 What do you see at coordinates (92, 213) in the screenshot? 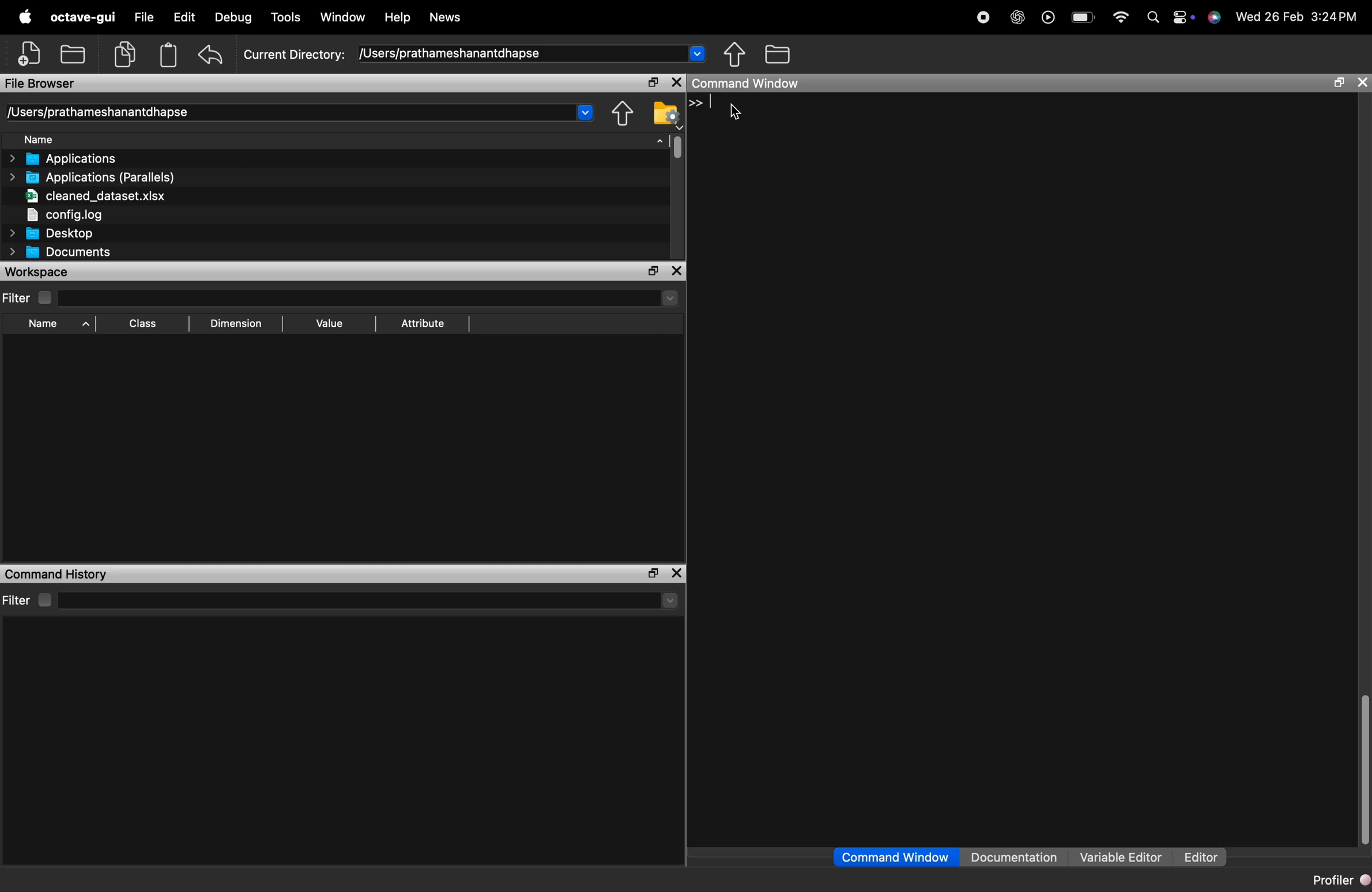
I see `config.log` at bounding box center [92, 213].